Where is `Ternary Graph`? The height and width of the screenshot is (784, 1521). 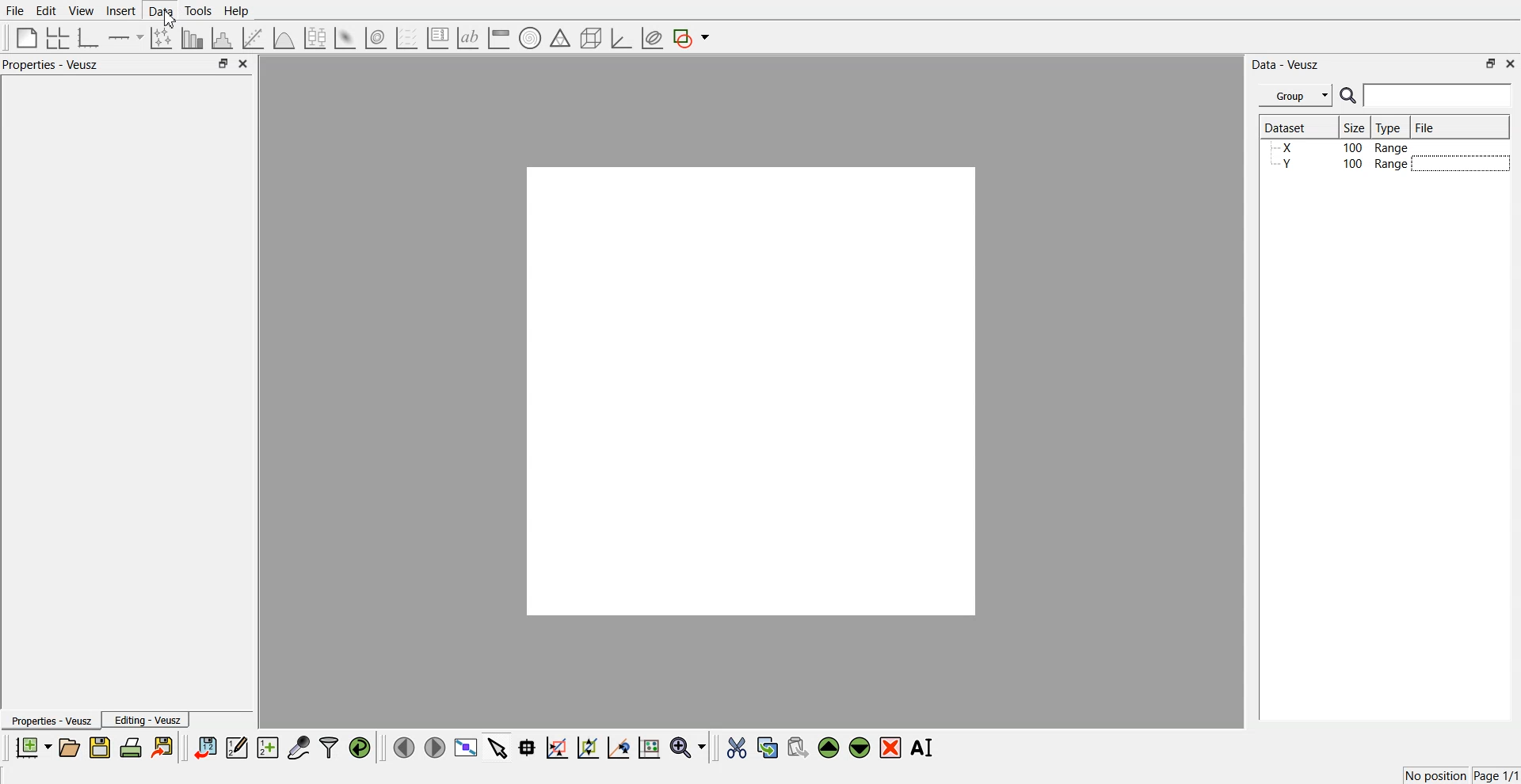 Ternary Graph is located at coordinates (560, 37).